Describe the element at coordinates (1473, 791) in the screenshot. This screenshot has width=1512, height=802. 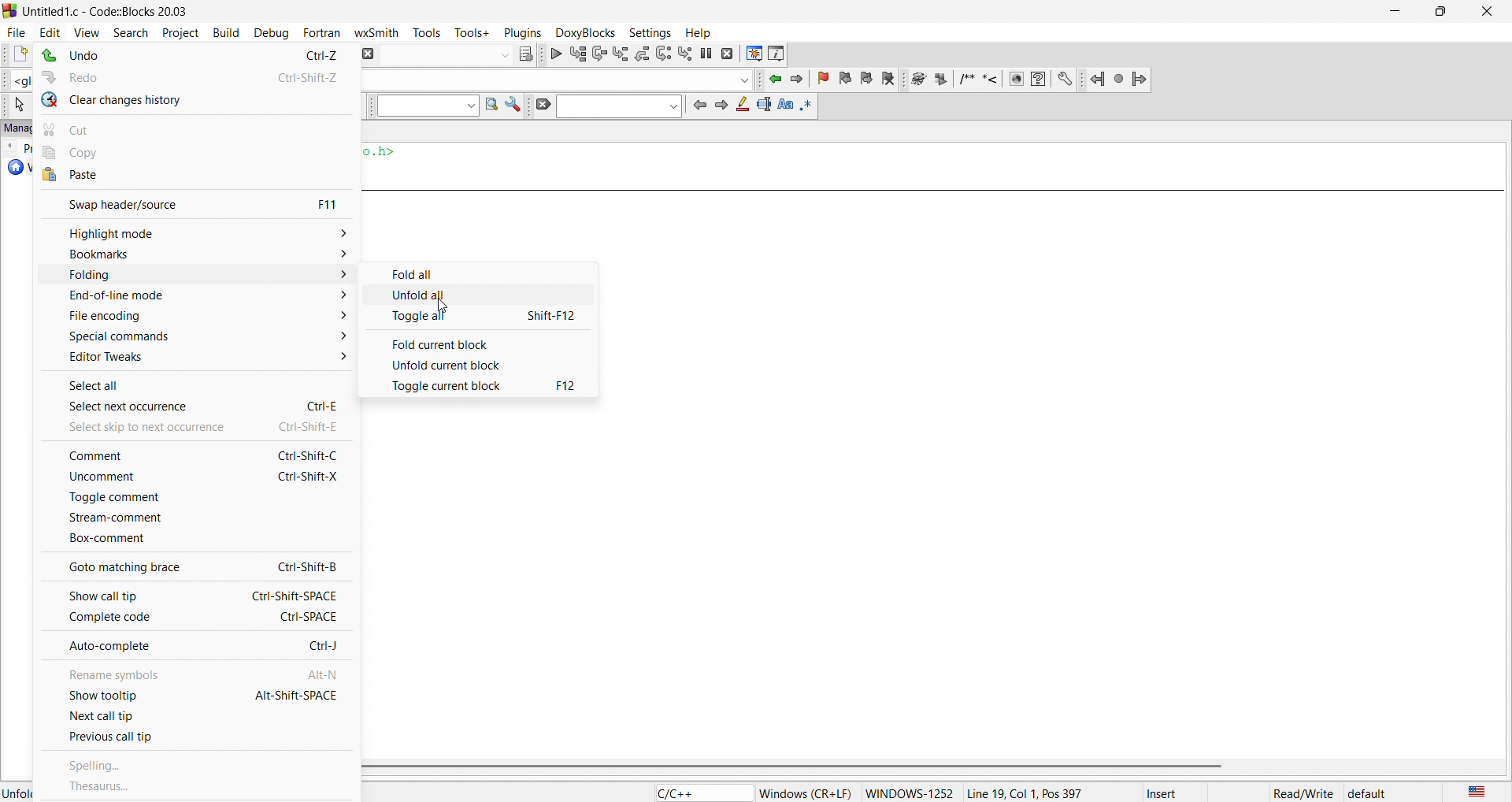
I see `language` at that location.